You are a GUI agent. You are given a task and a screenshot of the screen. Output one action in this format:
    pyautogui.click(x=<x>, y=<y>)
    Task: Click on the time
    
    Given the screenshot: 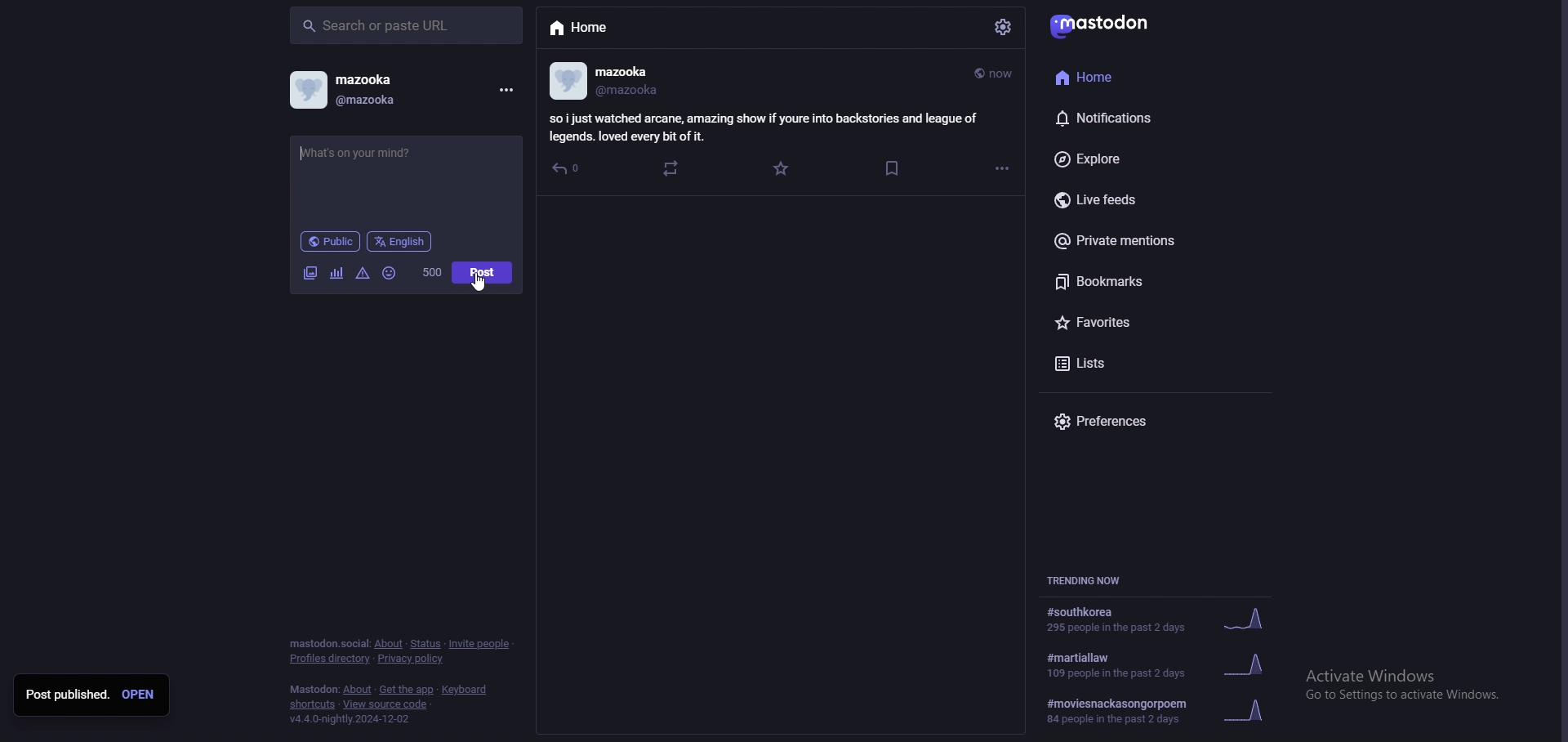 What is the action you would take?
    pyautogui.click(x=996, y=72)
    